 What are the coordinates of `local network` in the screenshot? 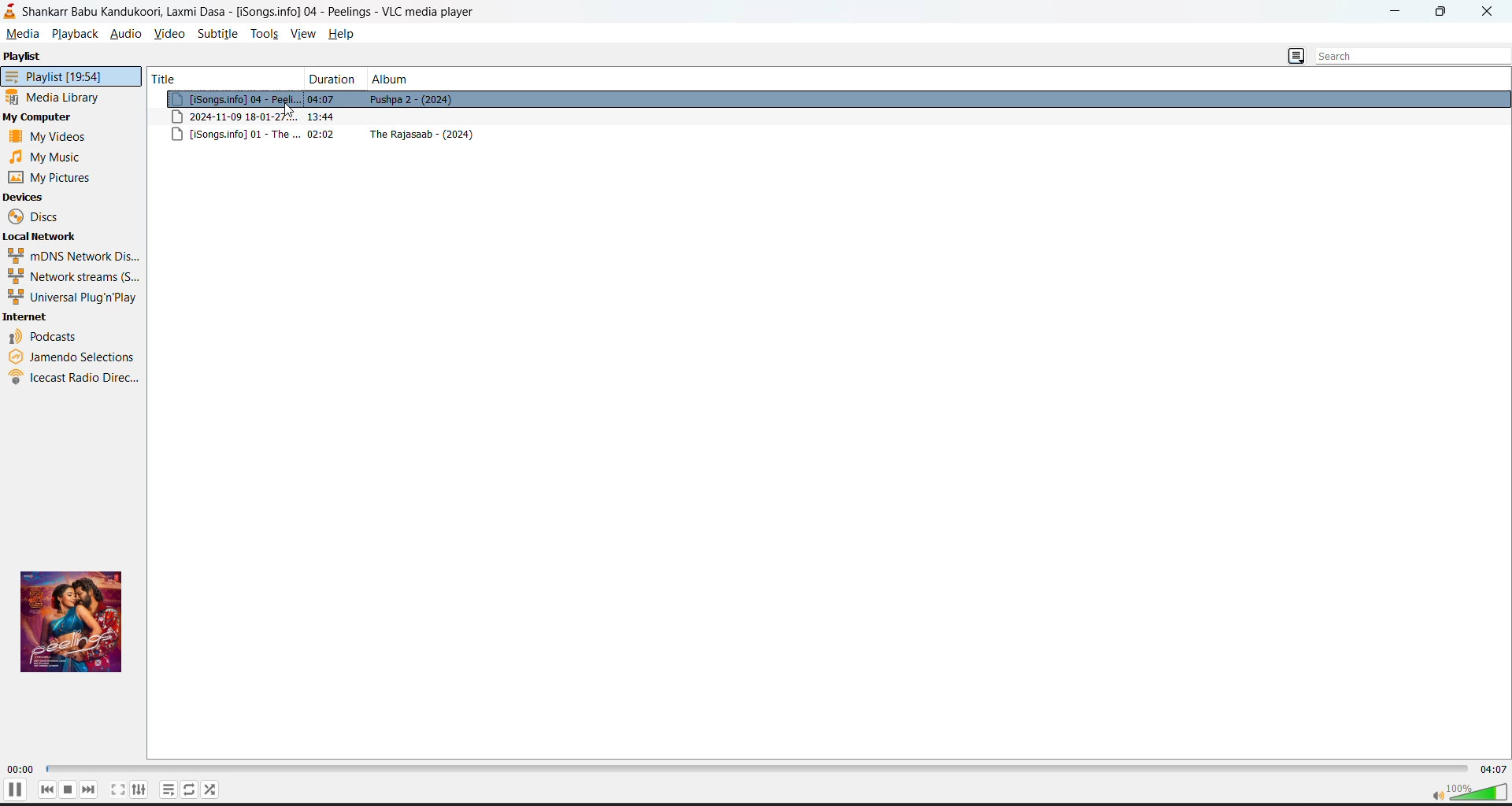 It's located at (44, 237).